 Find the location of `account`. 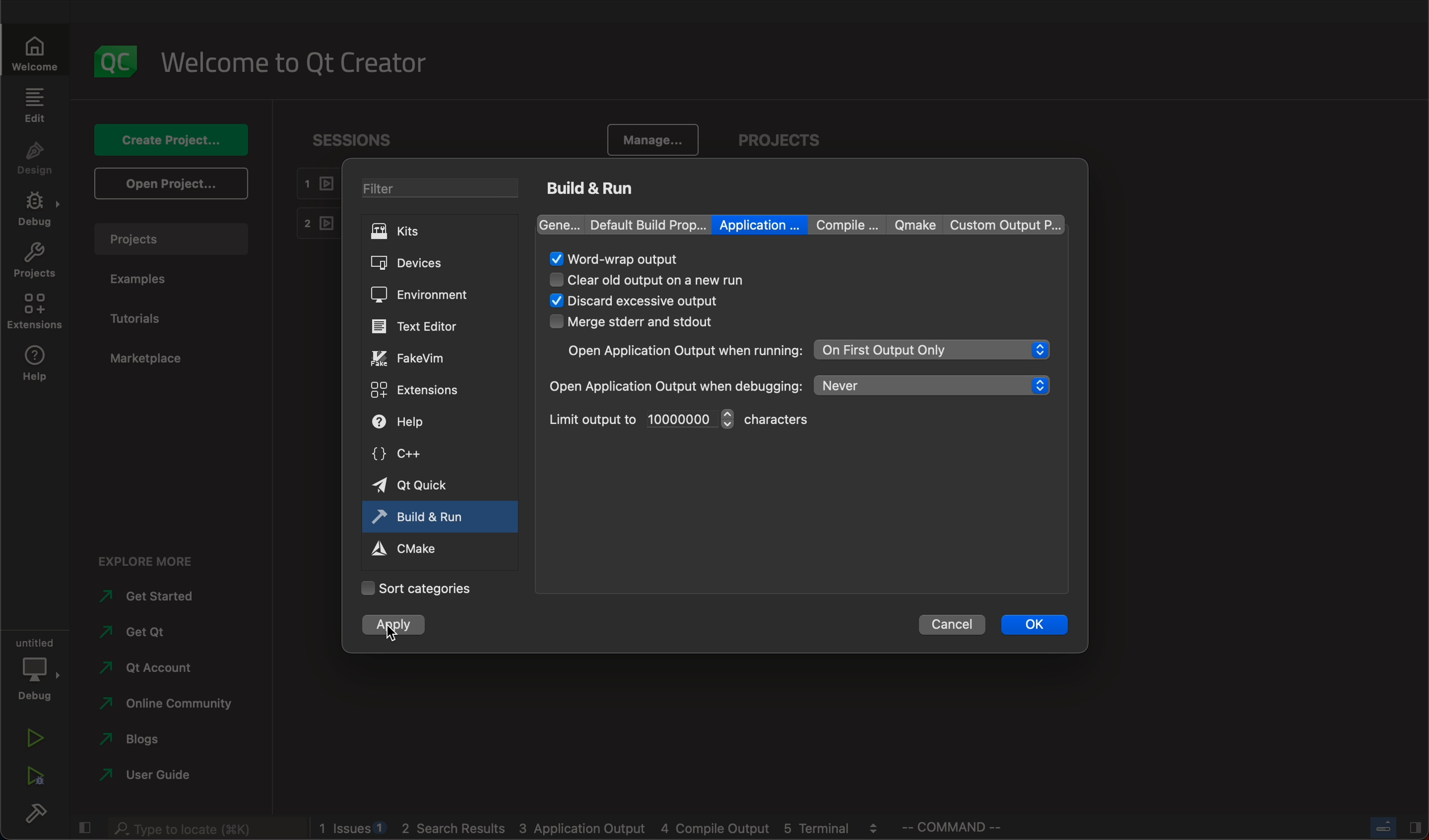

account is located at coordinates (156, 668).